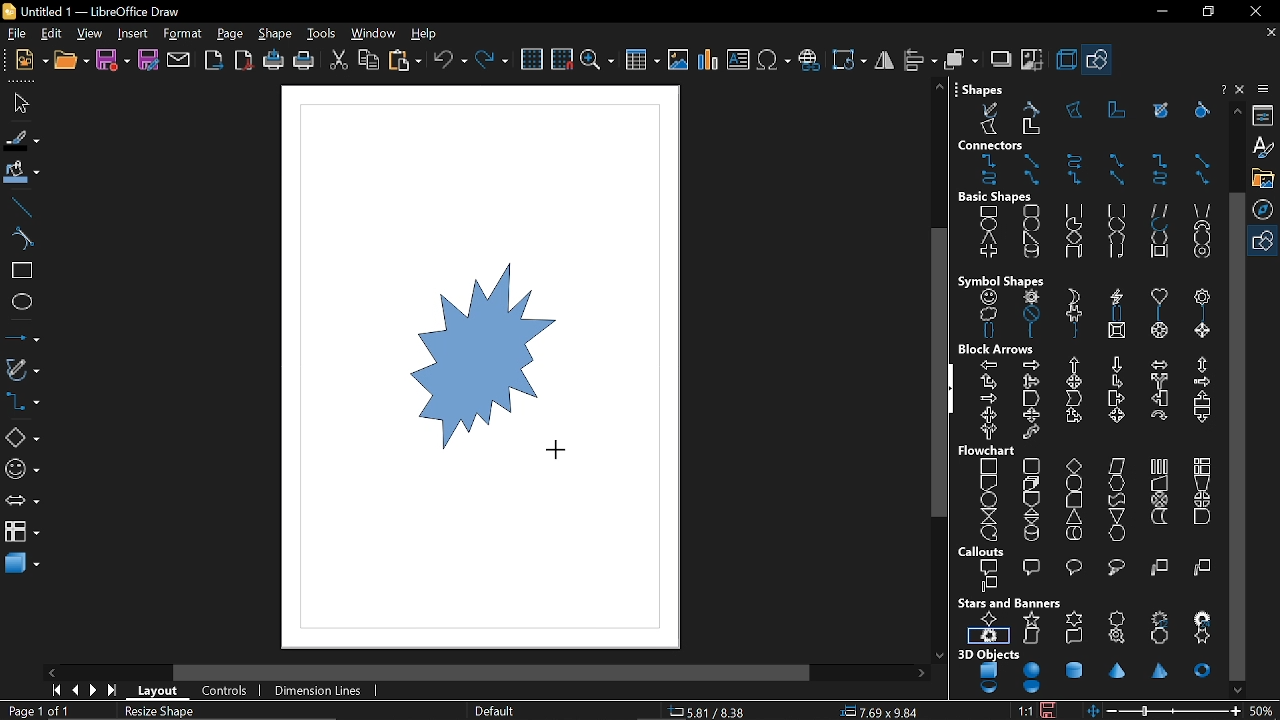 This screenshot has height=720, width=1280. What do you see at coordinates (72, 62) in the screenshot?
I see `open` at bounding box center [72, 62].